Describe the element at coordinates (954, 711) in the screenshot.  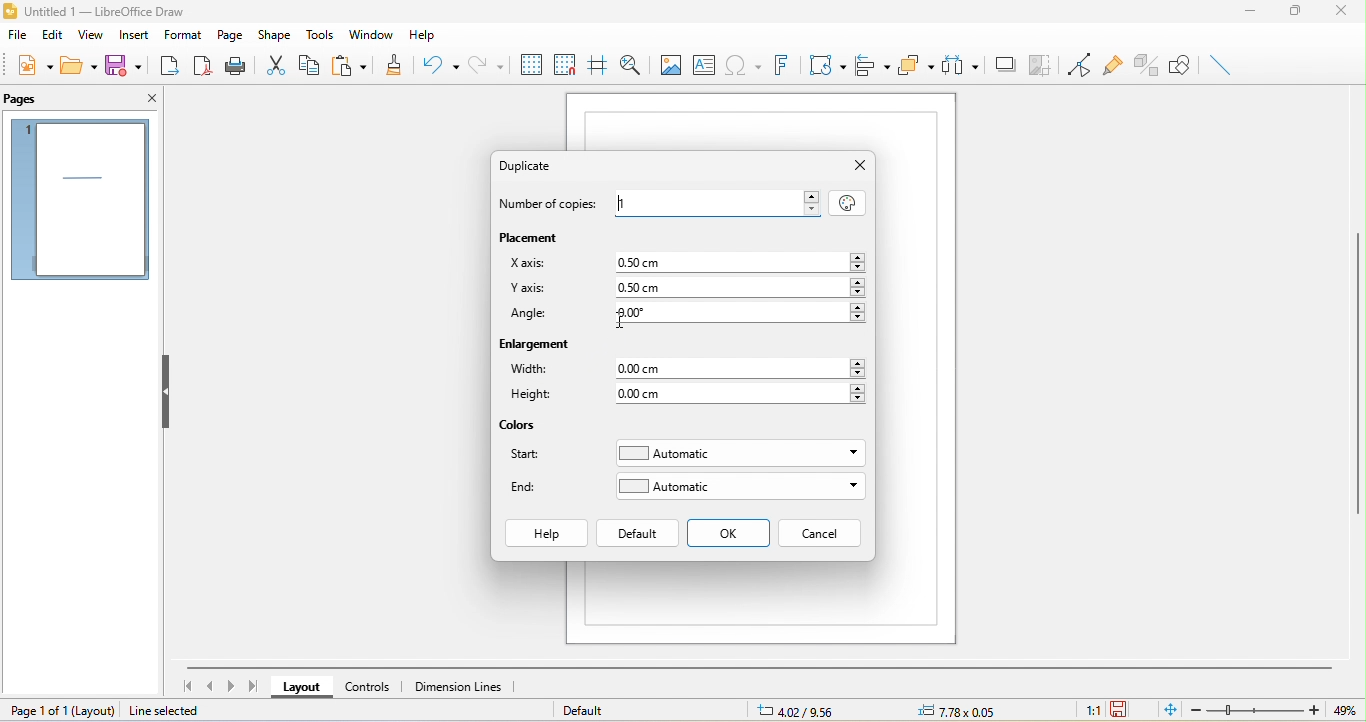
I see `0.00x0.00` at that location.